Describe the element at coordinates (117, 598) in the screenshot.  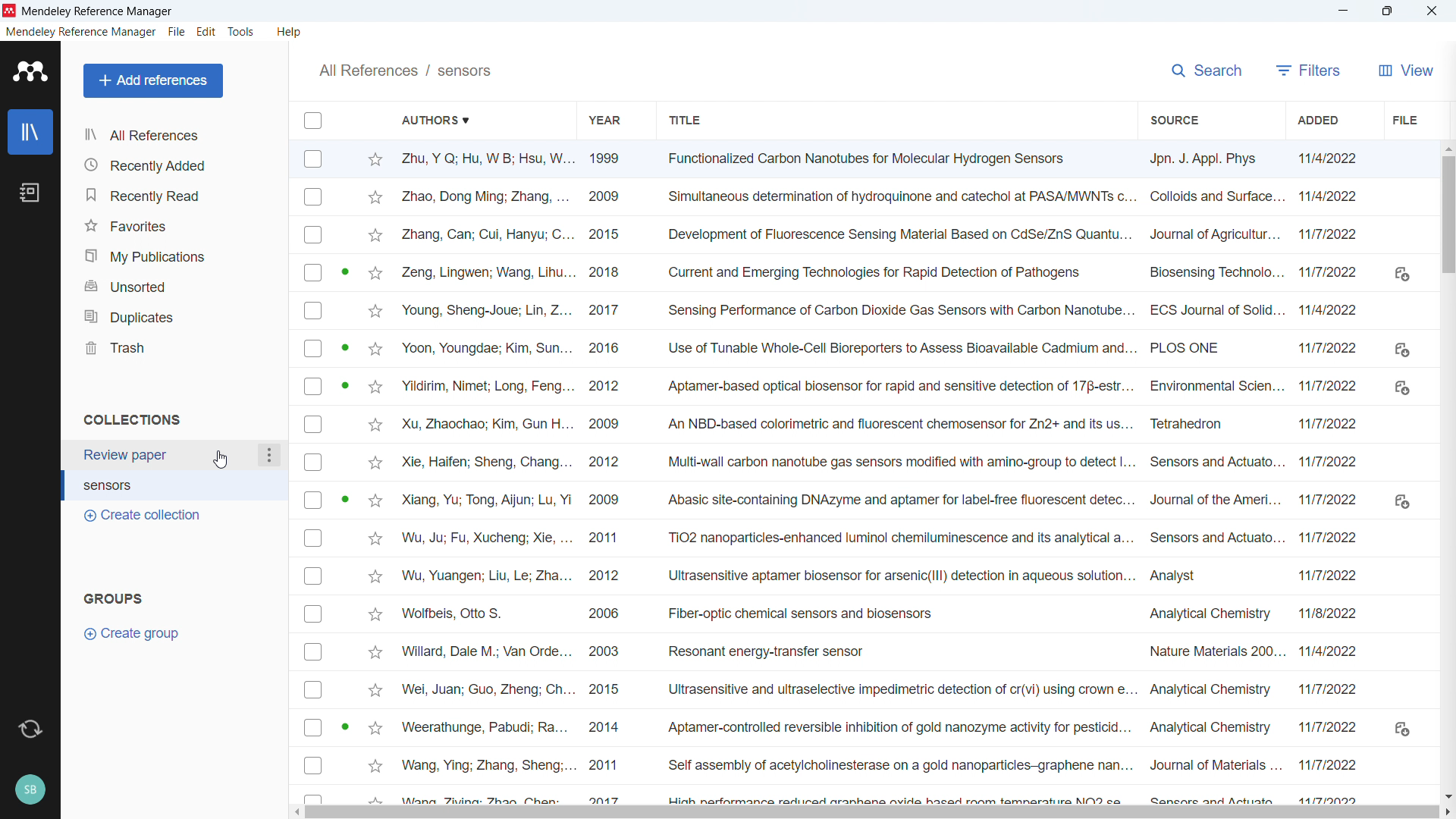
I see `Groups ` at that location.